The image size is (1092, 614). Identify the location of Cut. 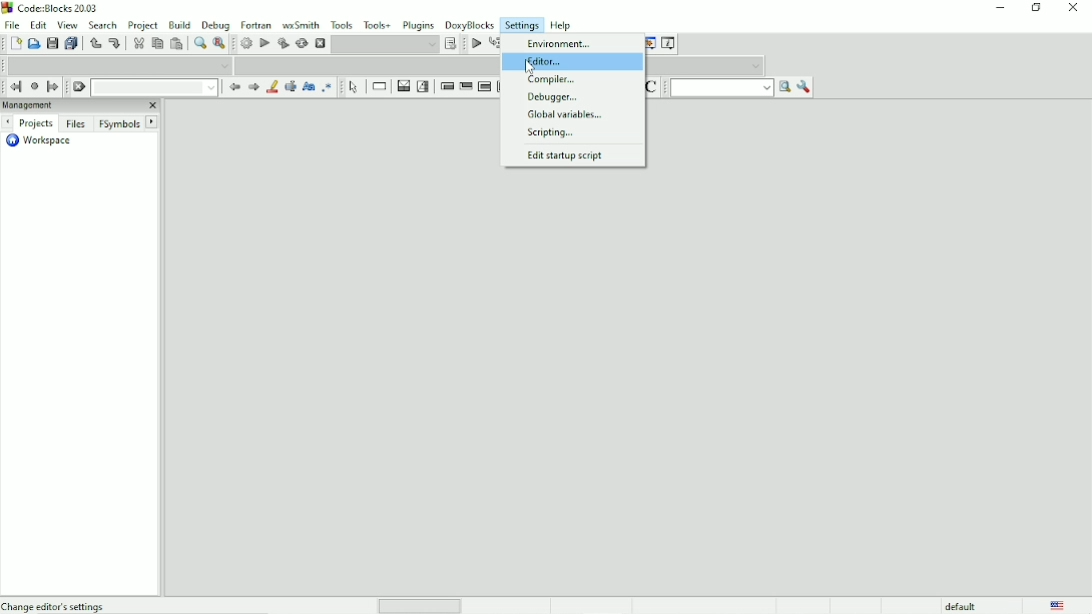
(138, 44).